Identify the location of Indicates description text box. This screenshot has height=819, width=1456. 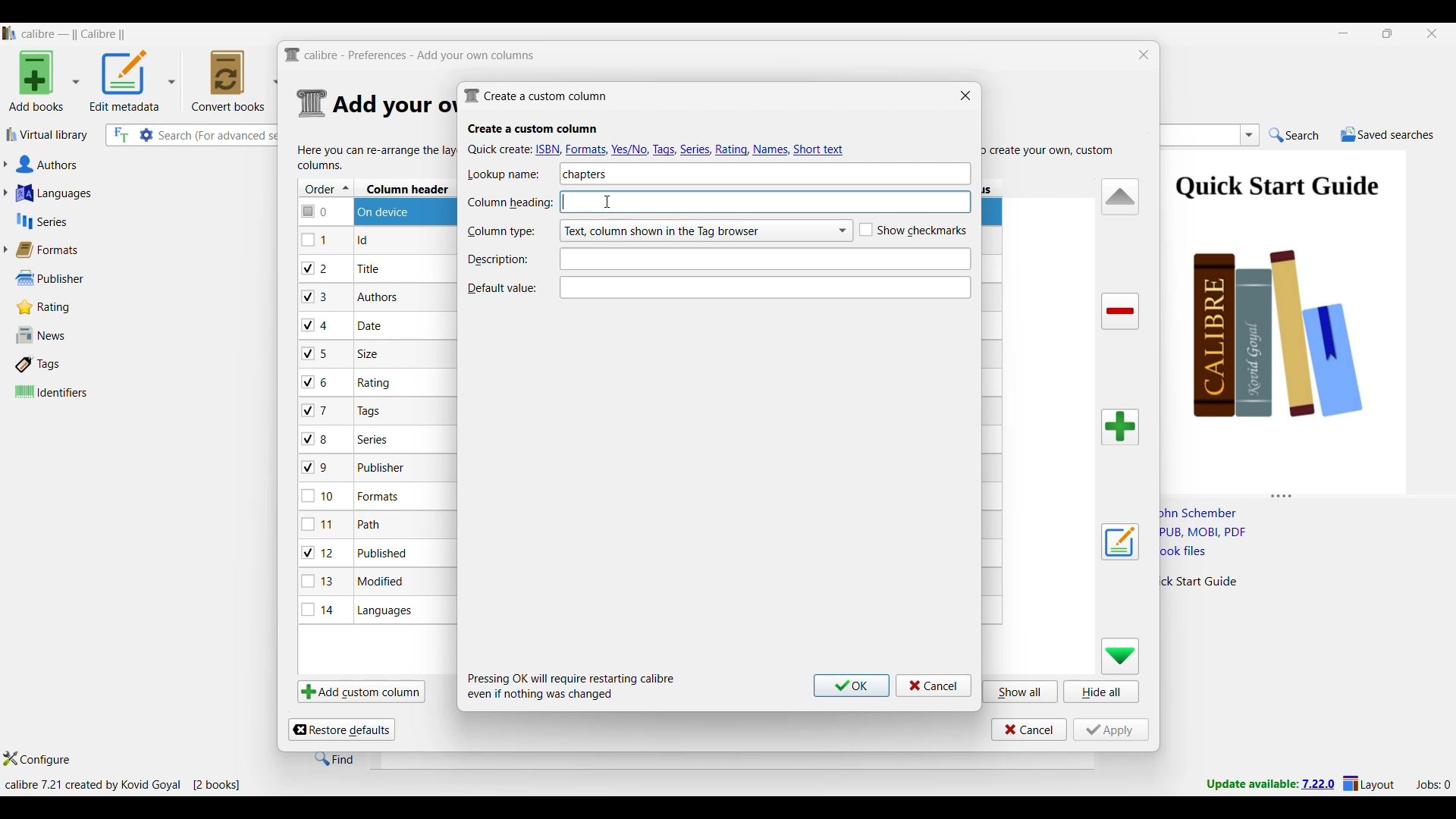
(498, 259).